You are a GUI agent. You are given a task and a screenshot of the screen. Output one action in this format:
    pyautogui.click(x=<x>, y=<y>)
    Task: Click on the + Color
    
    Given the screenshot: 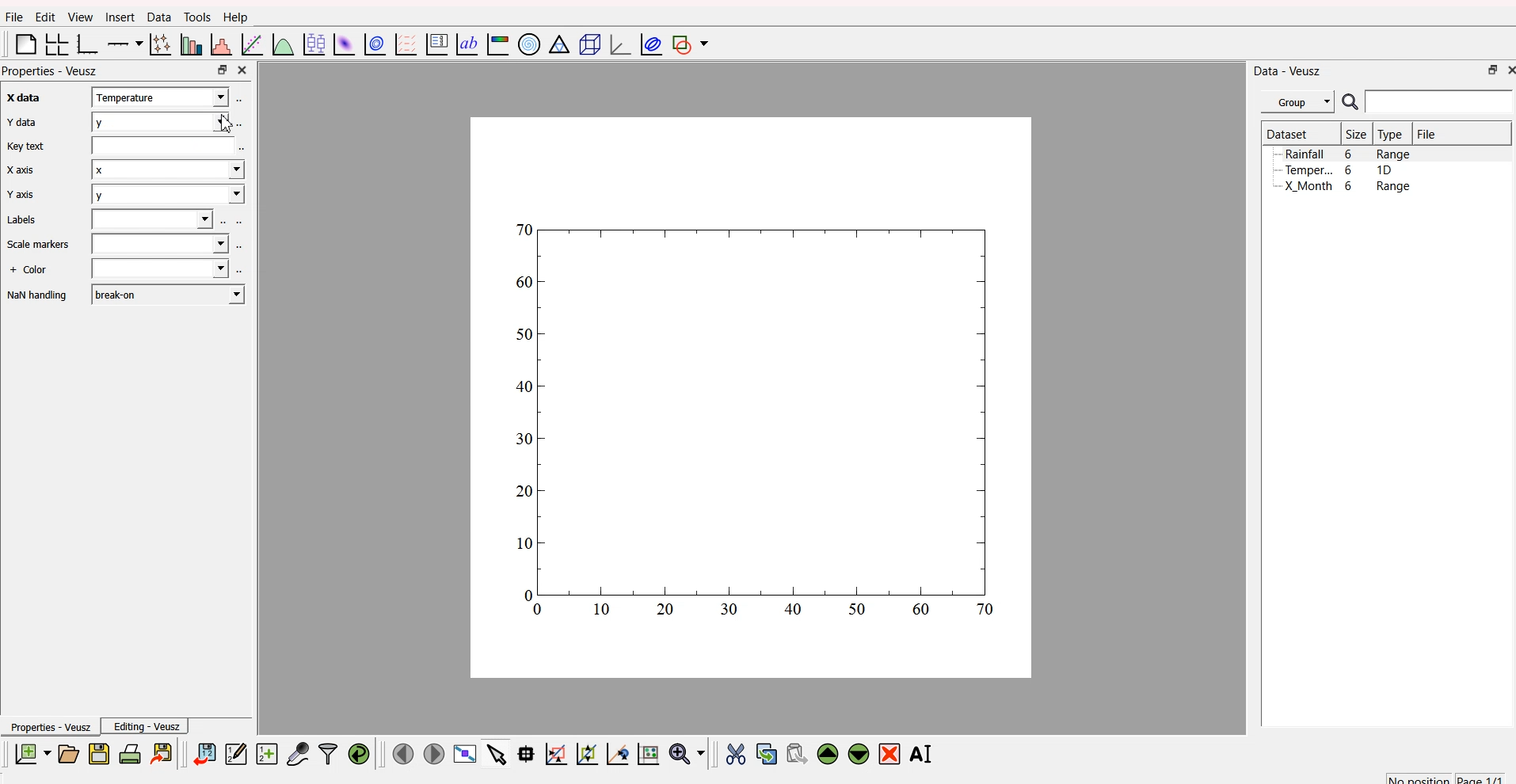 What is the action you would take?
    pyautogui.click(x=30, y=271)
    